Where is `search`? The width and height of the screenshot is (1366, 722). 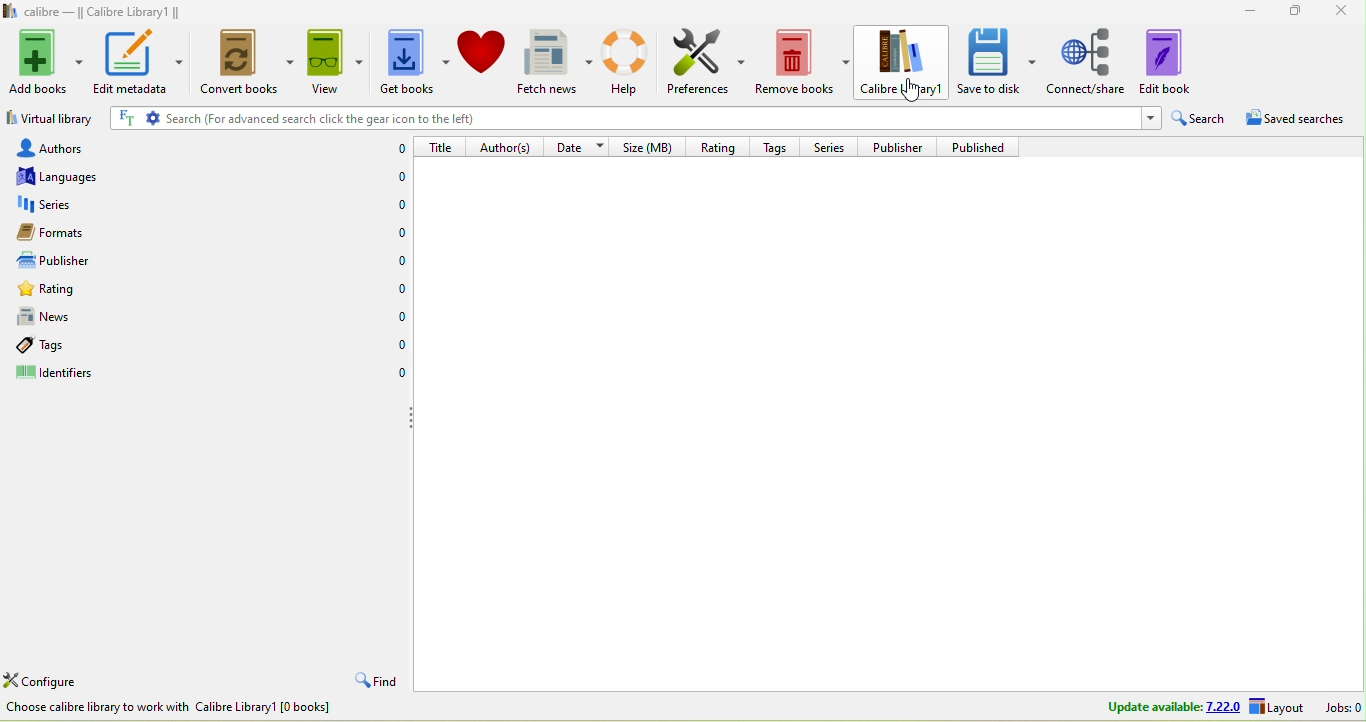 search is located at coordinates (1200, 119).